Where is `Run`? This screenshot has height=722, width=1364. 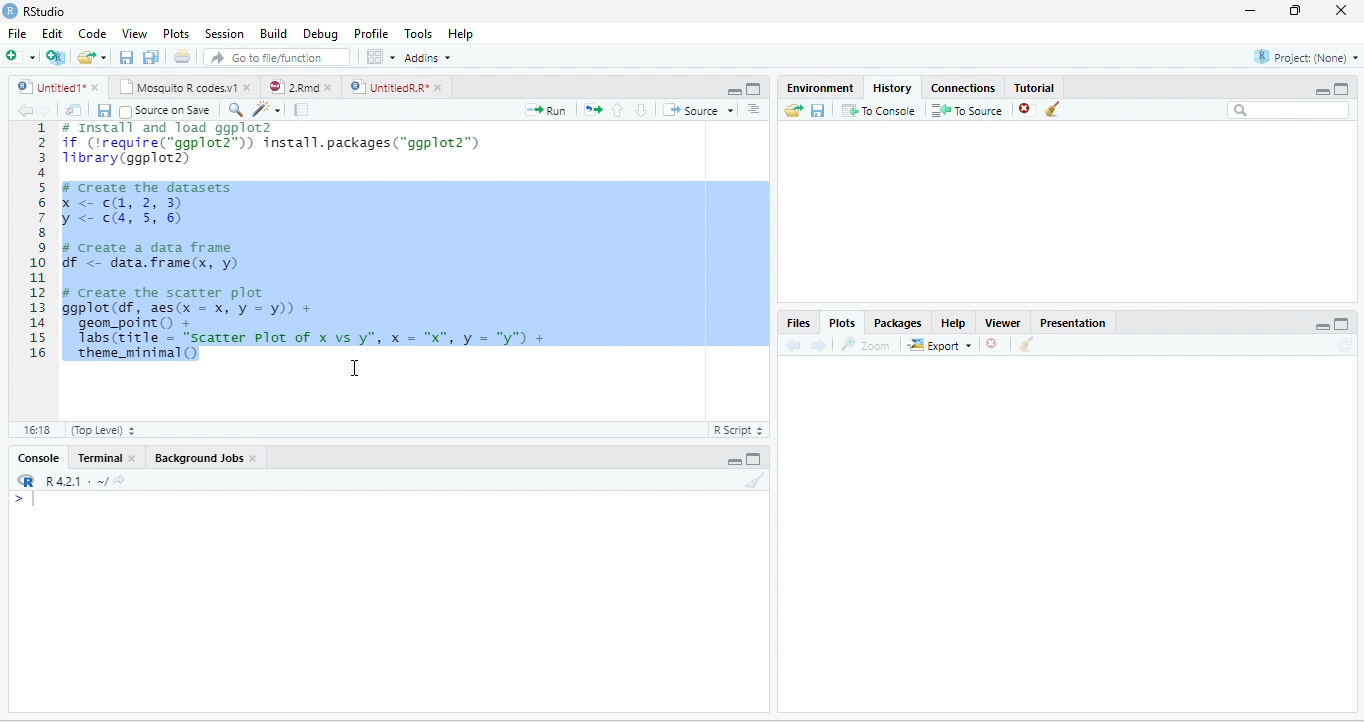
Run is located at coordinates (546, 110).